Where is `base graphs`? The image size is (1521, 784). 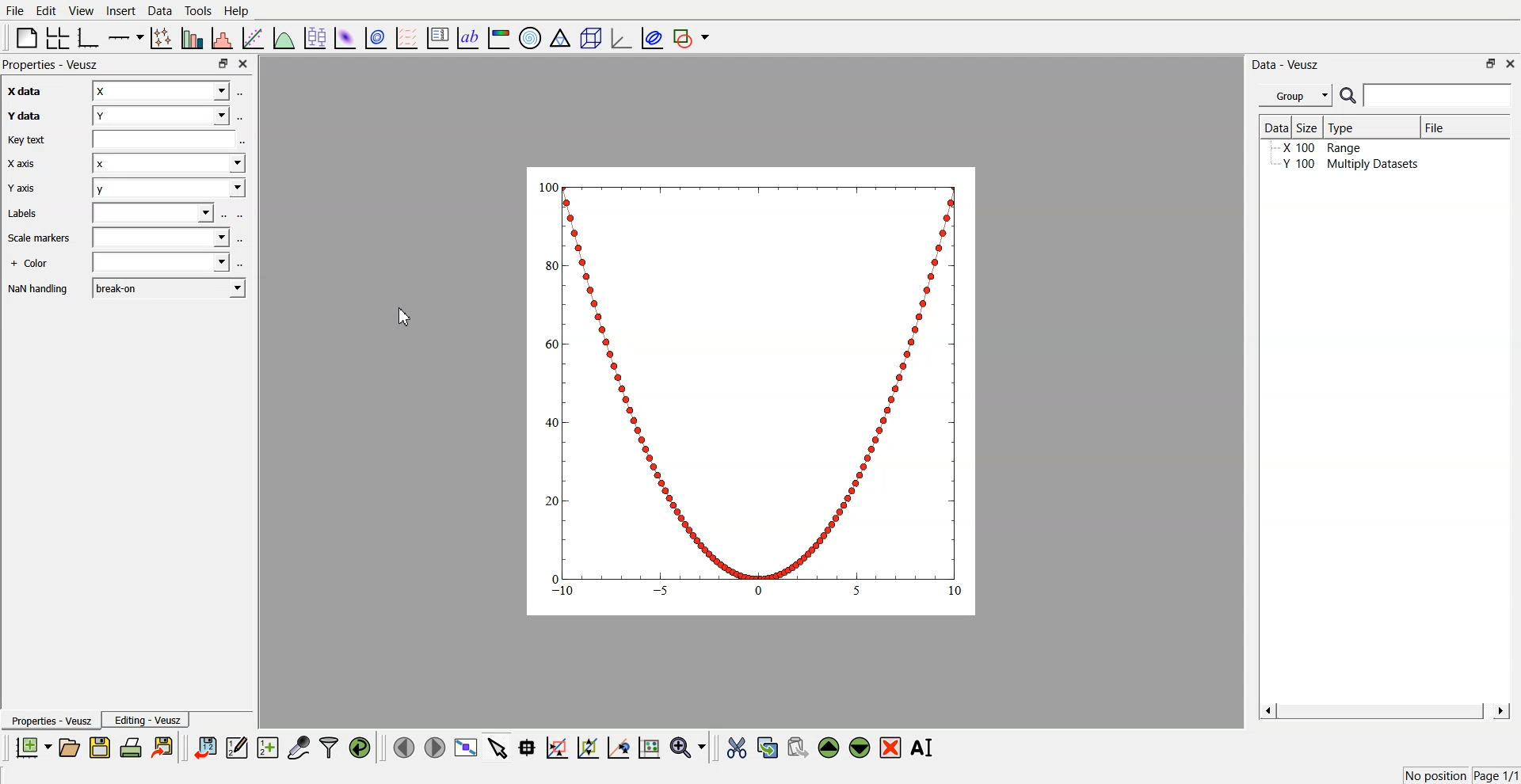 base graphs is located at coordinates (90, 37).